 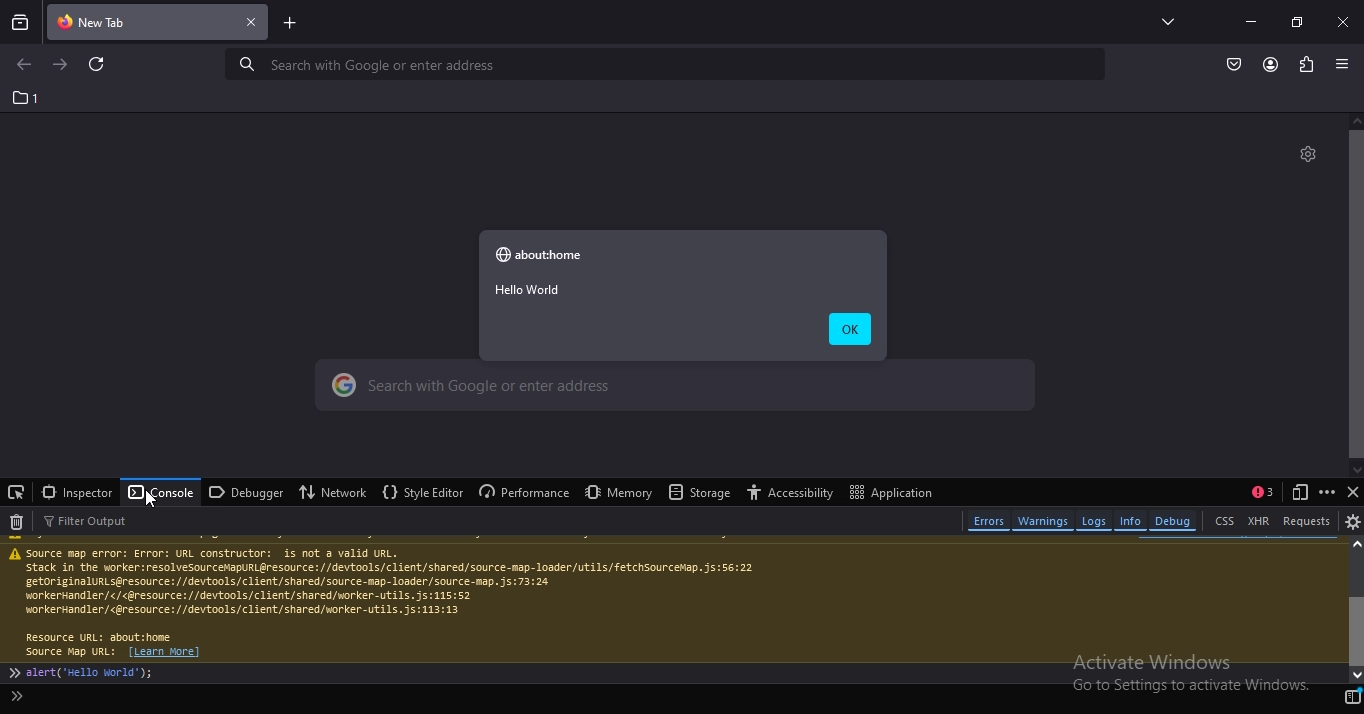 I want to click on ok, so click(x=850, y=330).